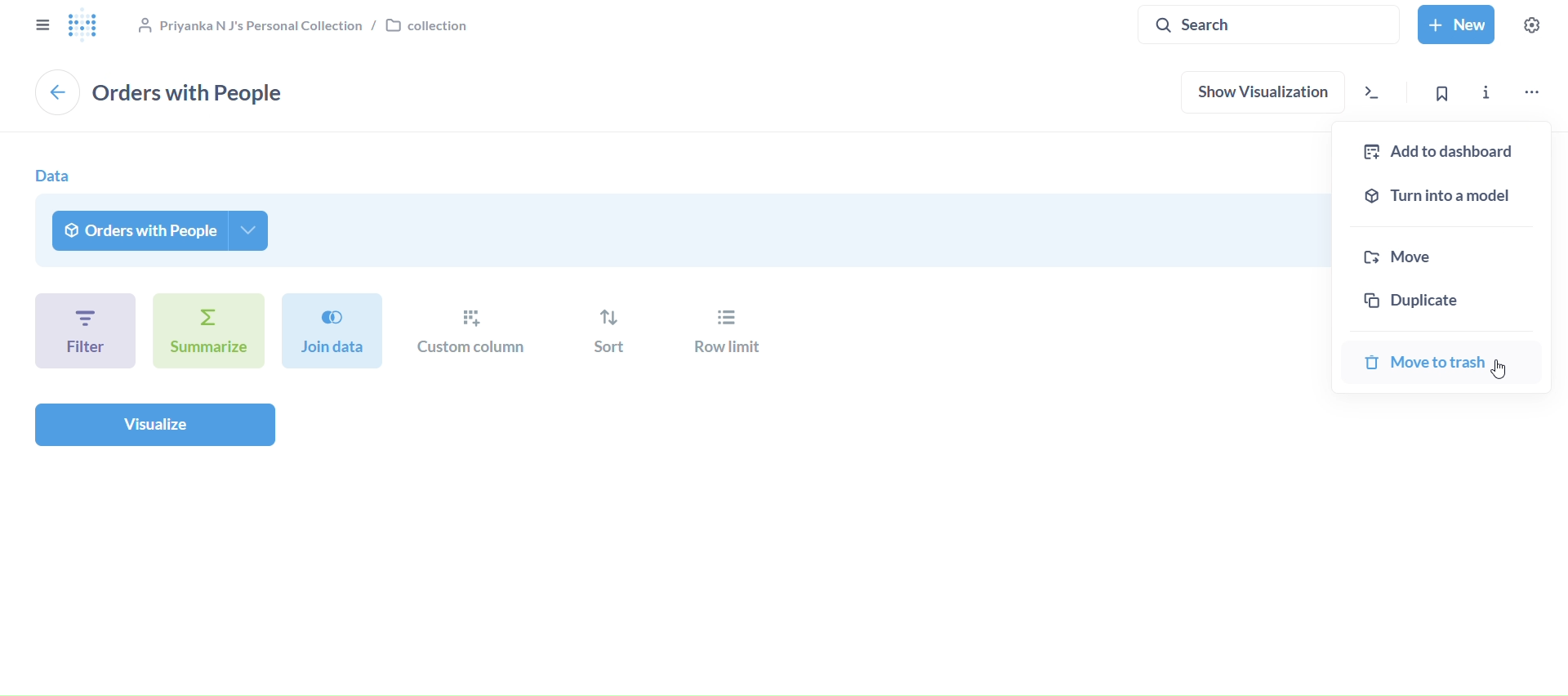  Describe the element at coordinates (1442, 143) in the screenshot. I see `add to dashboard` at that location.